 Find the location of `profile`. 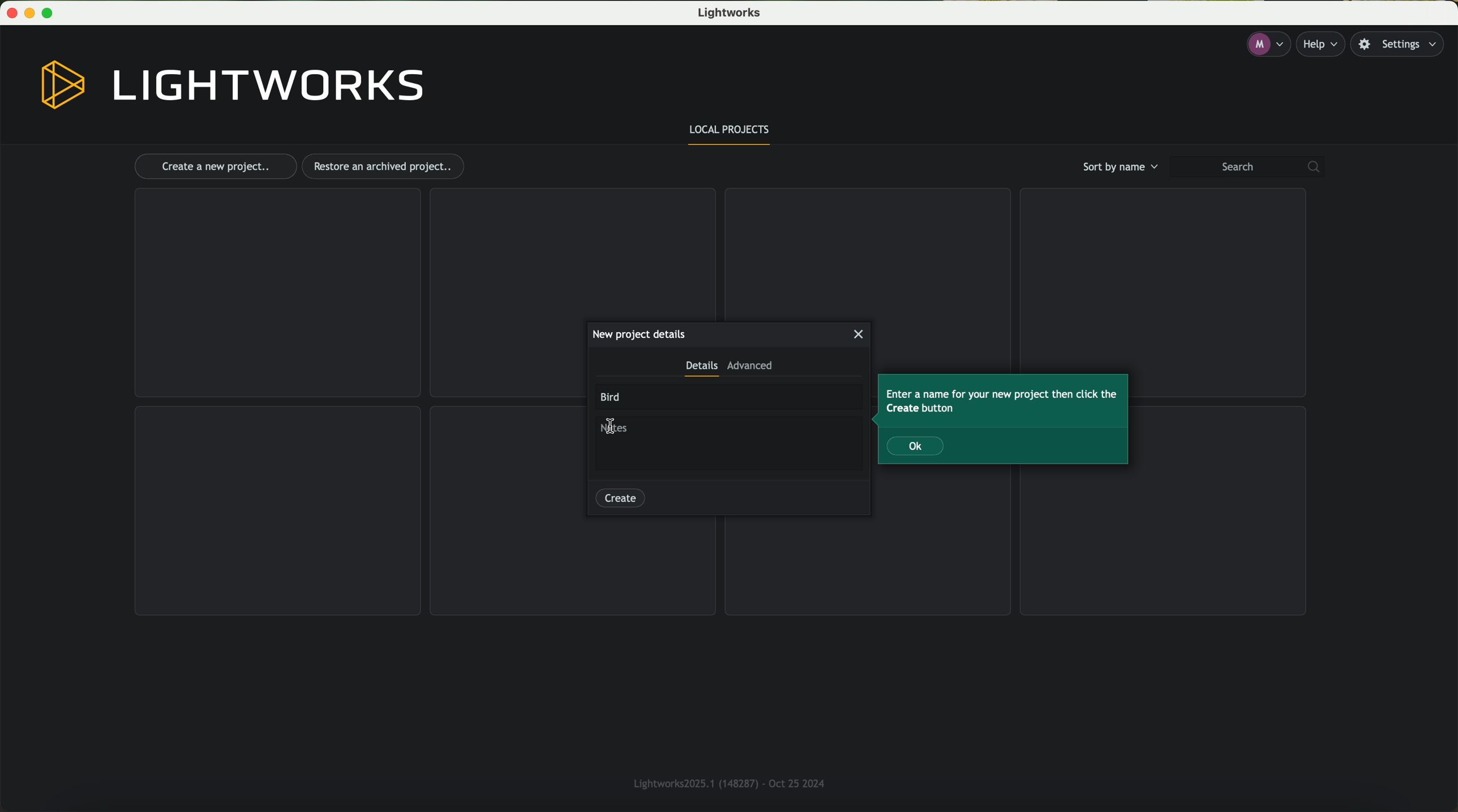

profile is located at coordinates (1267, 45).